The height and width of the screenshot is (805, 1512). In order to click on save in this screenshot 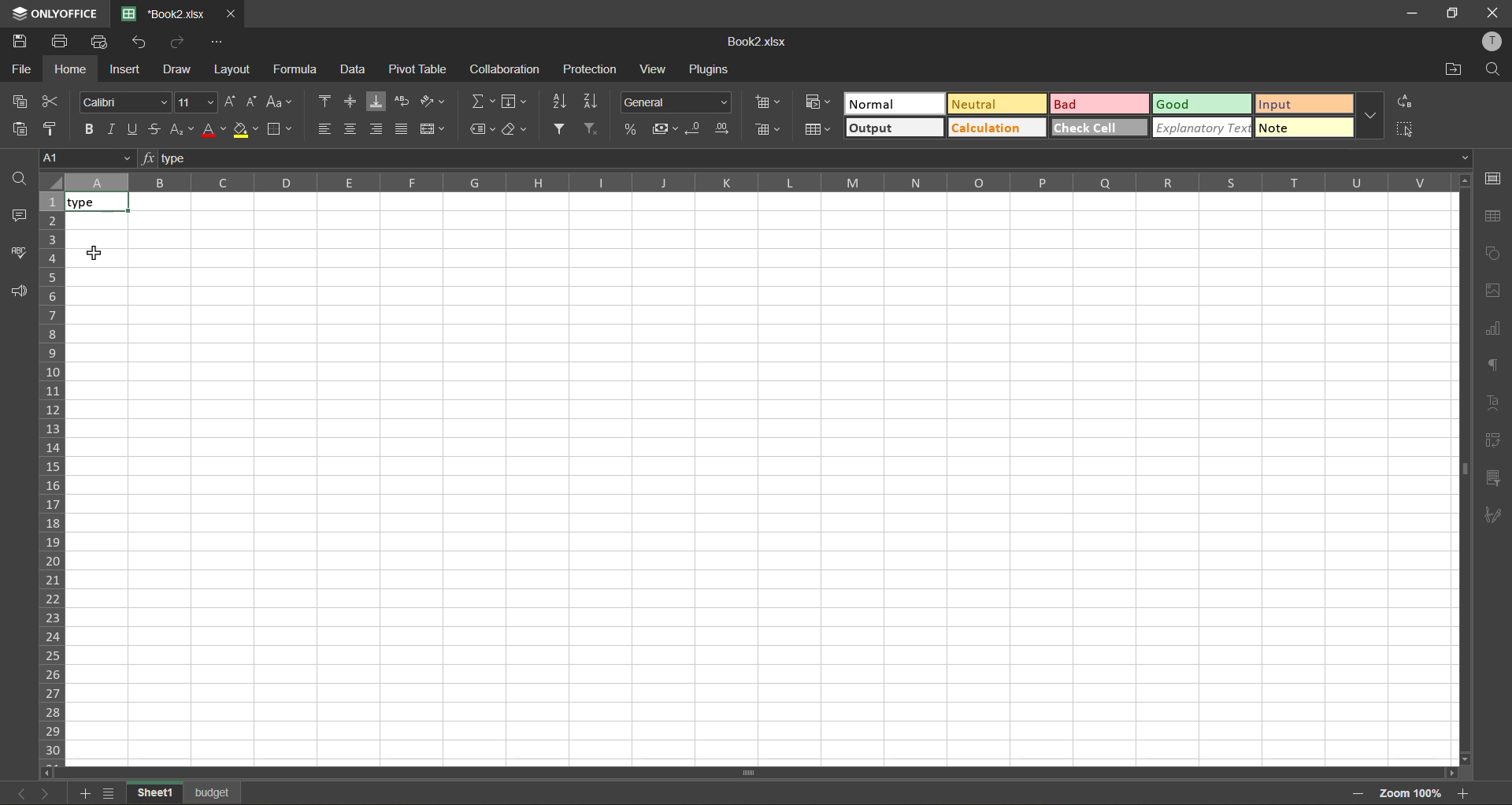, I will do `click(20, 42)`.